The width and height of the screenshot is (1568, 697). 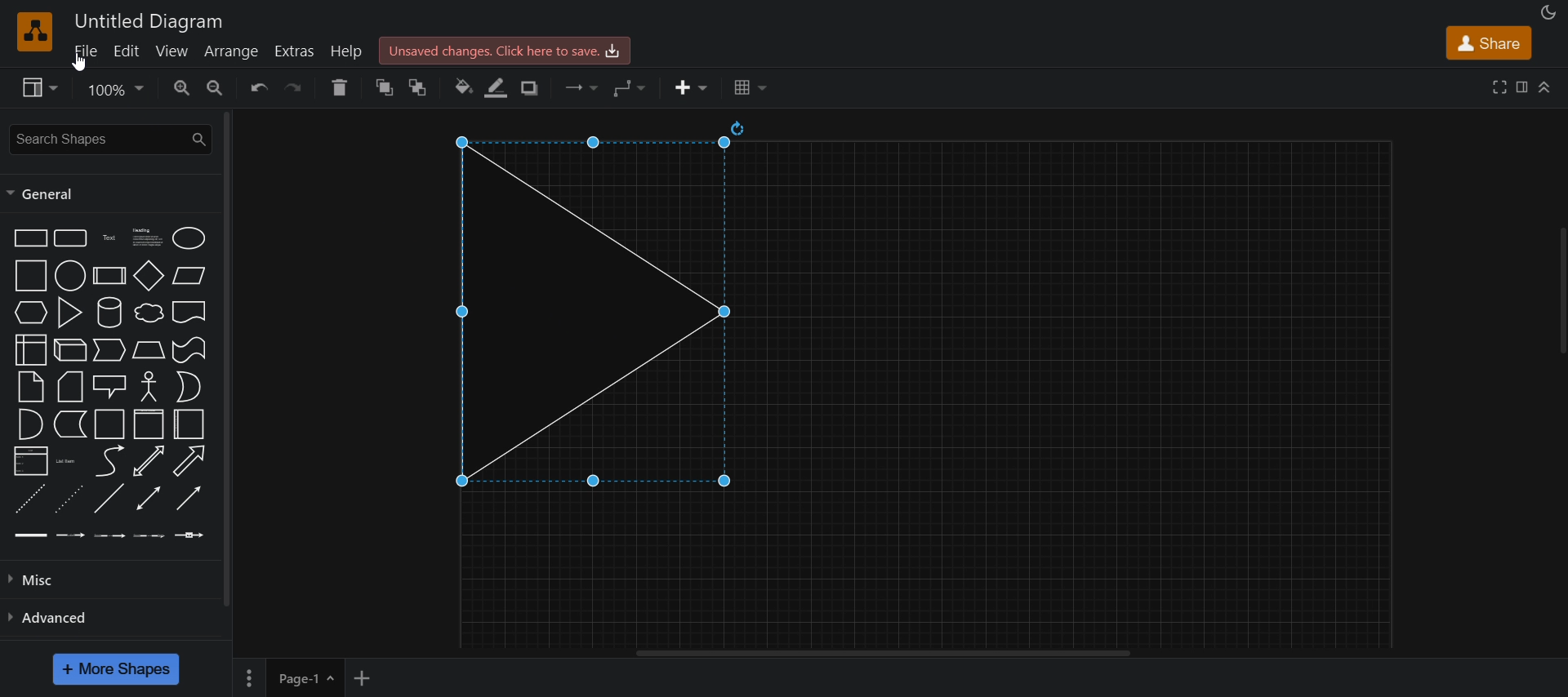 I want to click on step, so click(x=109, y=349).